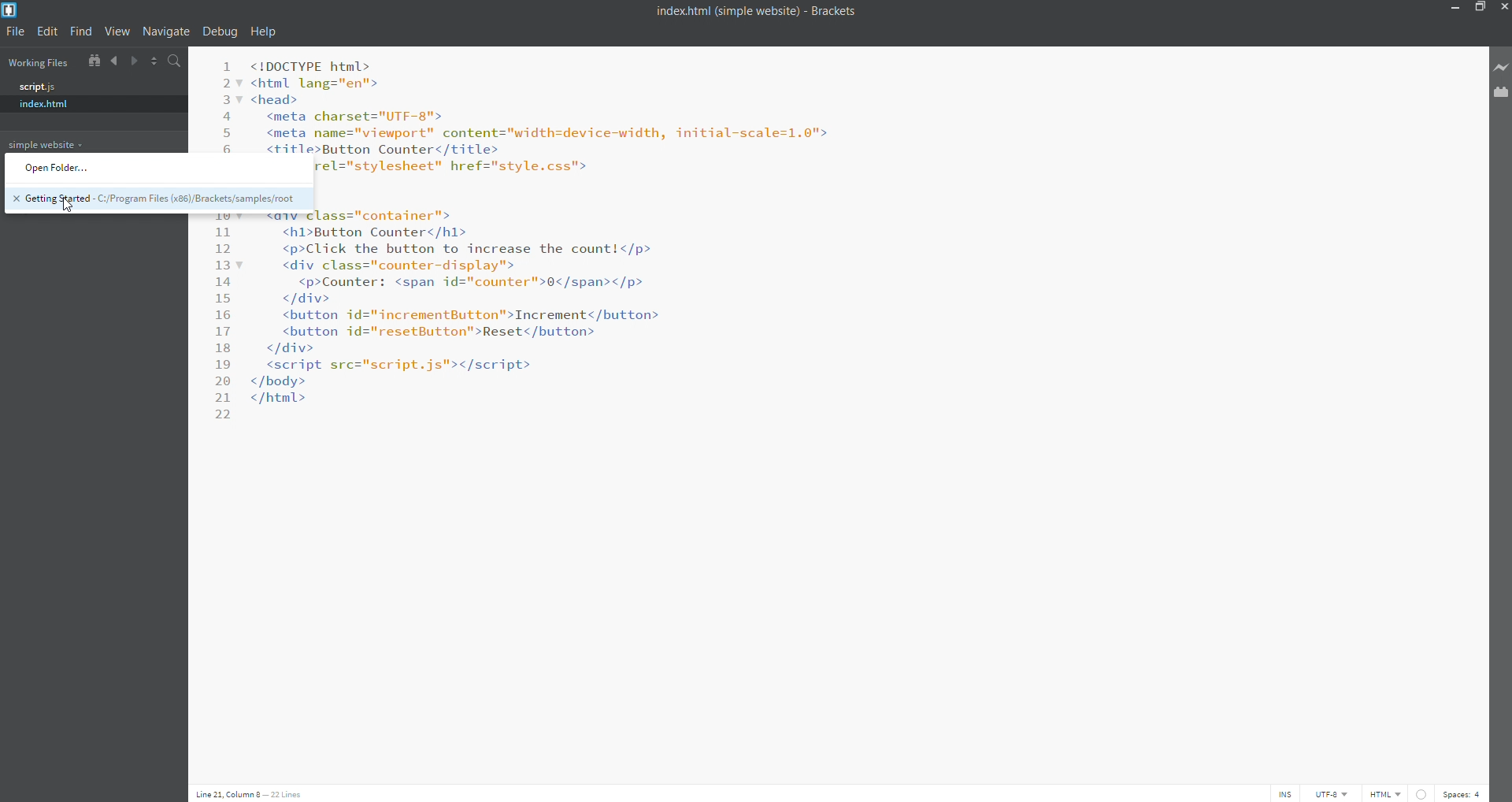 The height and width of the screenshot is (802, 1512). I want to click on live preview, so click(1502, 70).